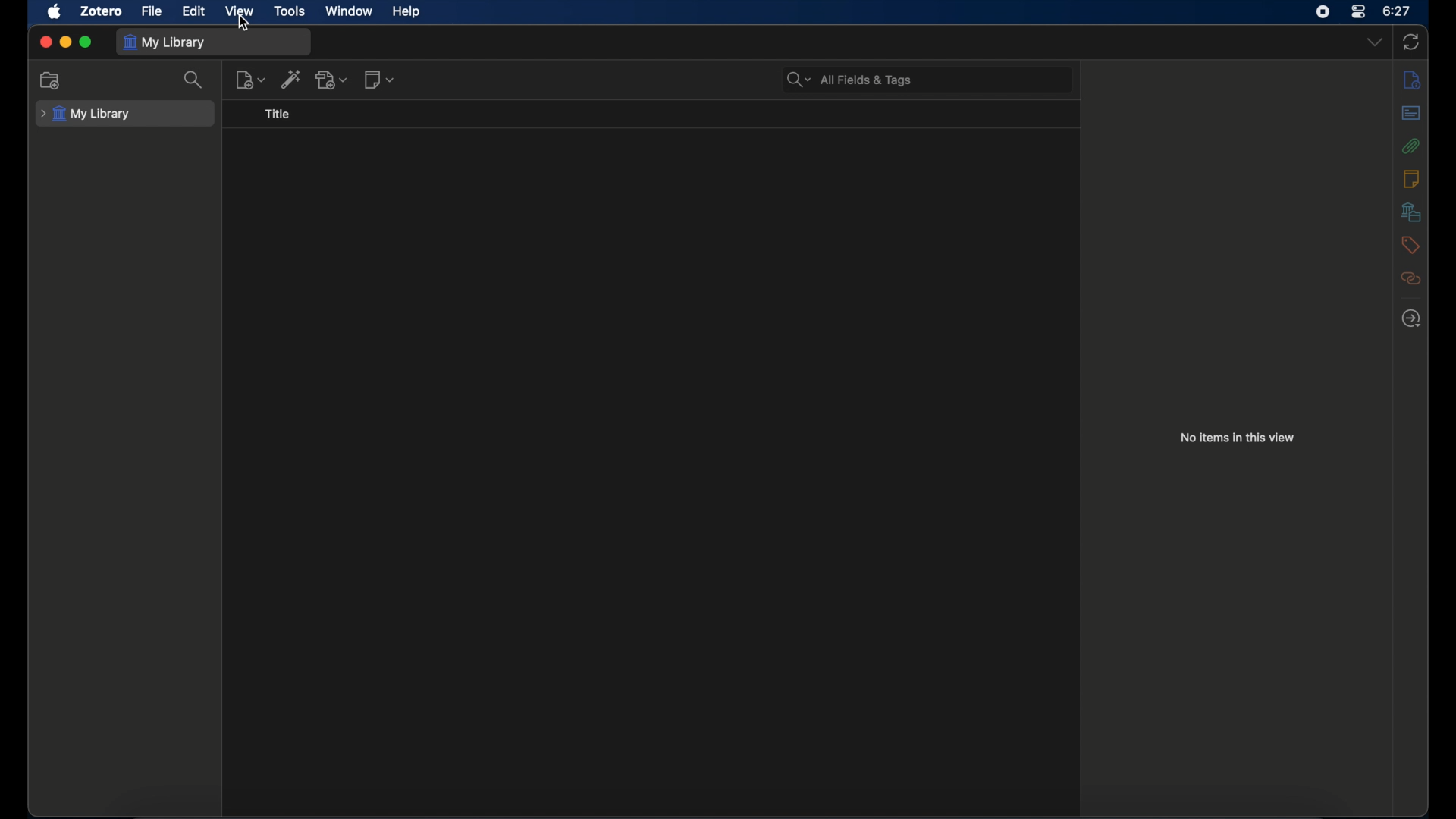  I want to click on apple icon, so click(55, 11).